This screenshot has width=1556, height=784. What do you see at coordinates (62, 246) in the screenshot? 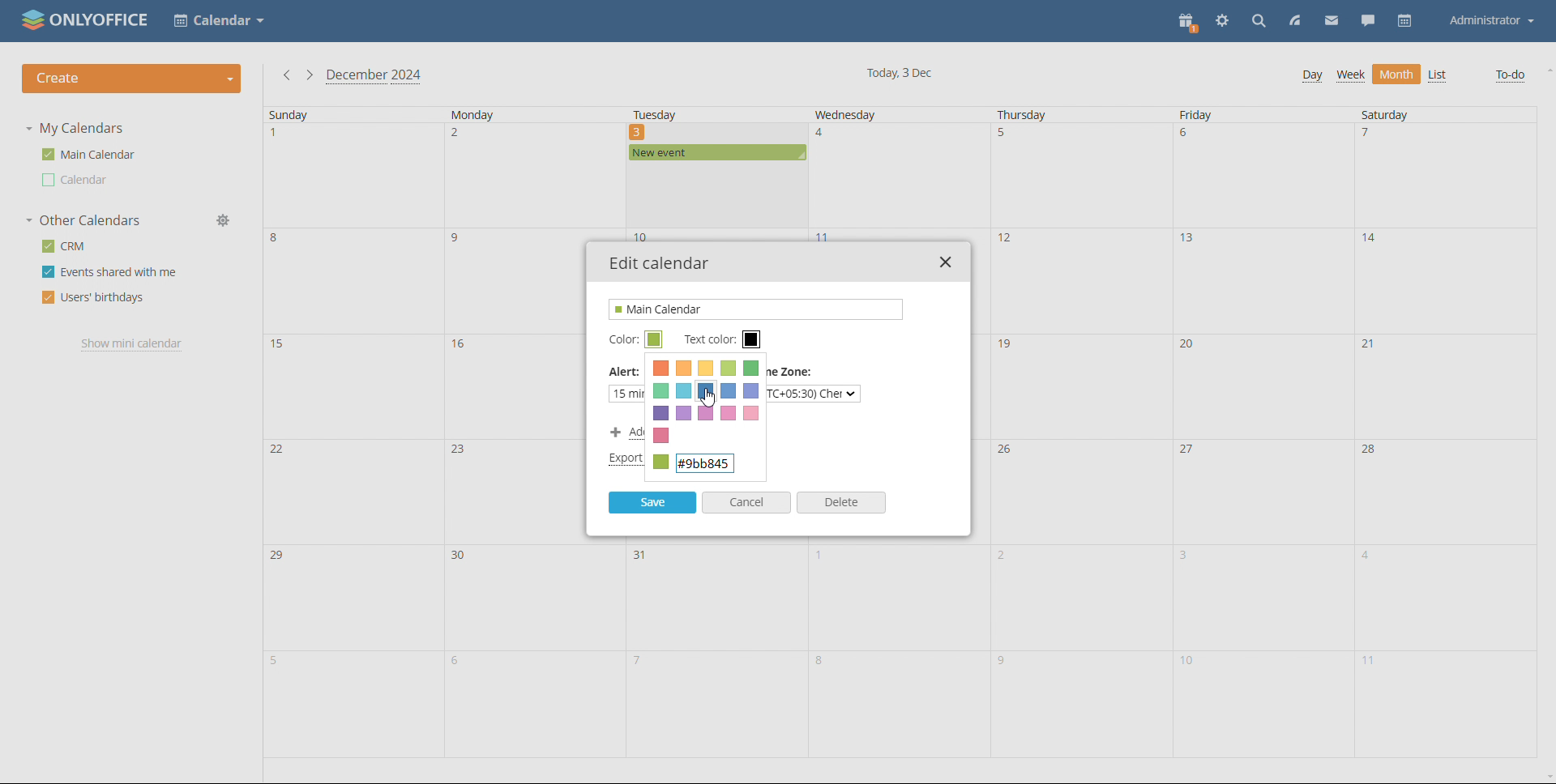
I see `crm` at bounding box center [62, 246].